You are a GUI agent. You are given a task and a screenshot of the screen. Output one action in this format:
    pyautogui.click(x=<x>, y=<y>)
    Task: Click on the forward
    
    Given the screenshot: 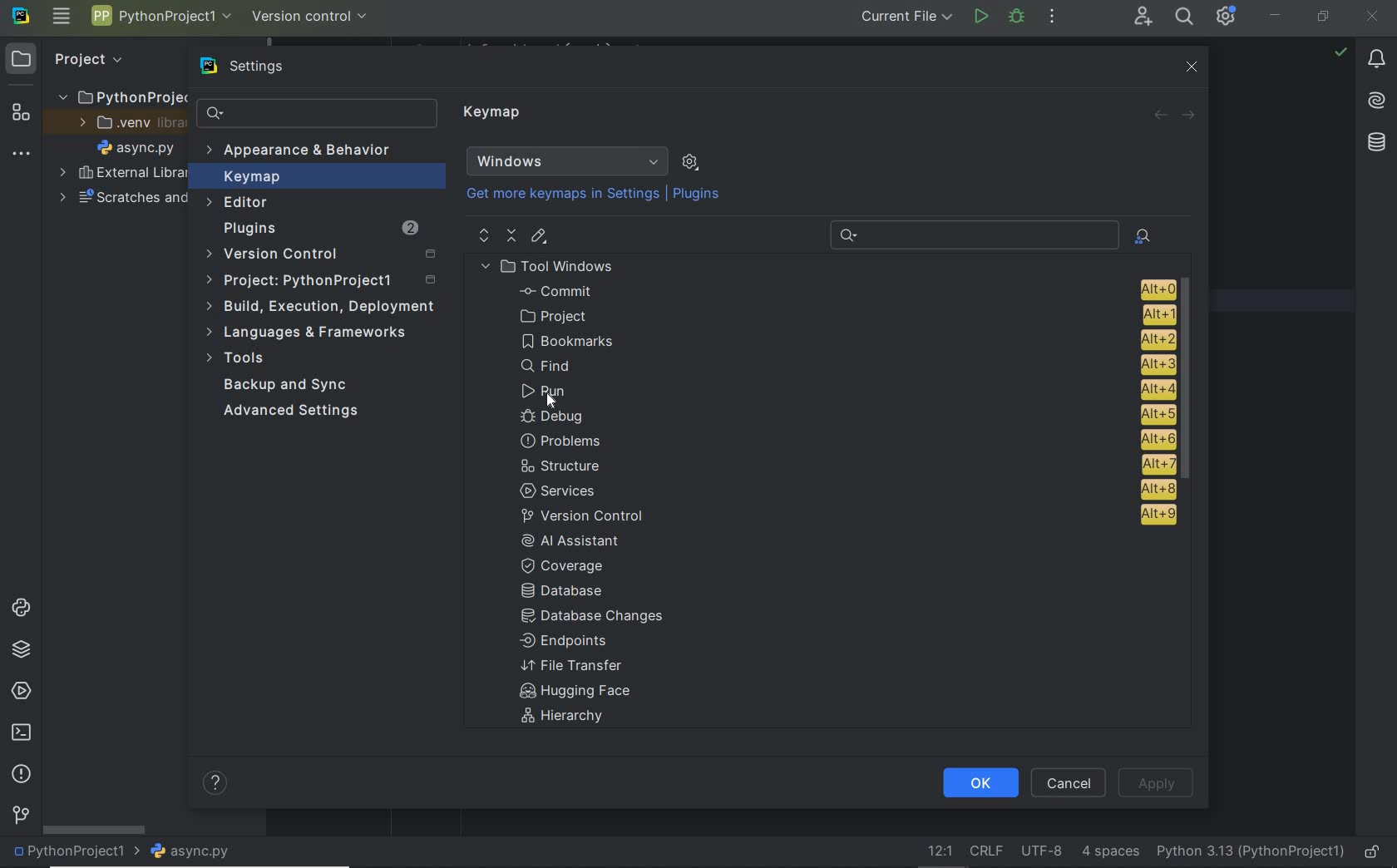 What is the action you would take?
    pyautogui.click(x=1190, y=114)
    